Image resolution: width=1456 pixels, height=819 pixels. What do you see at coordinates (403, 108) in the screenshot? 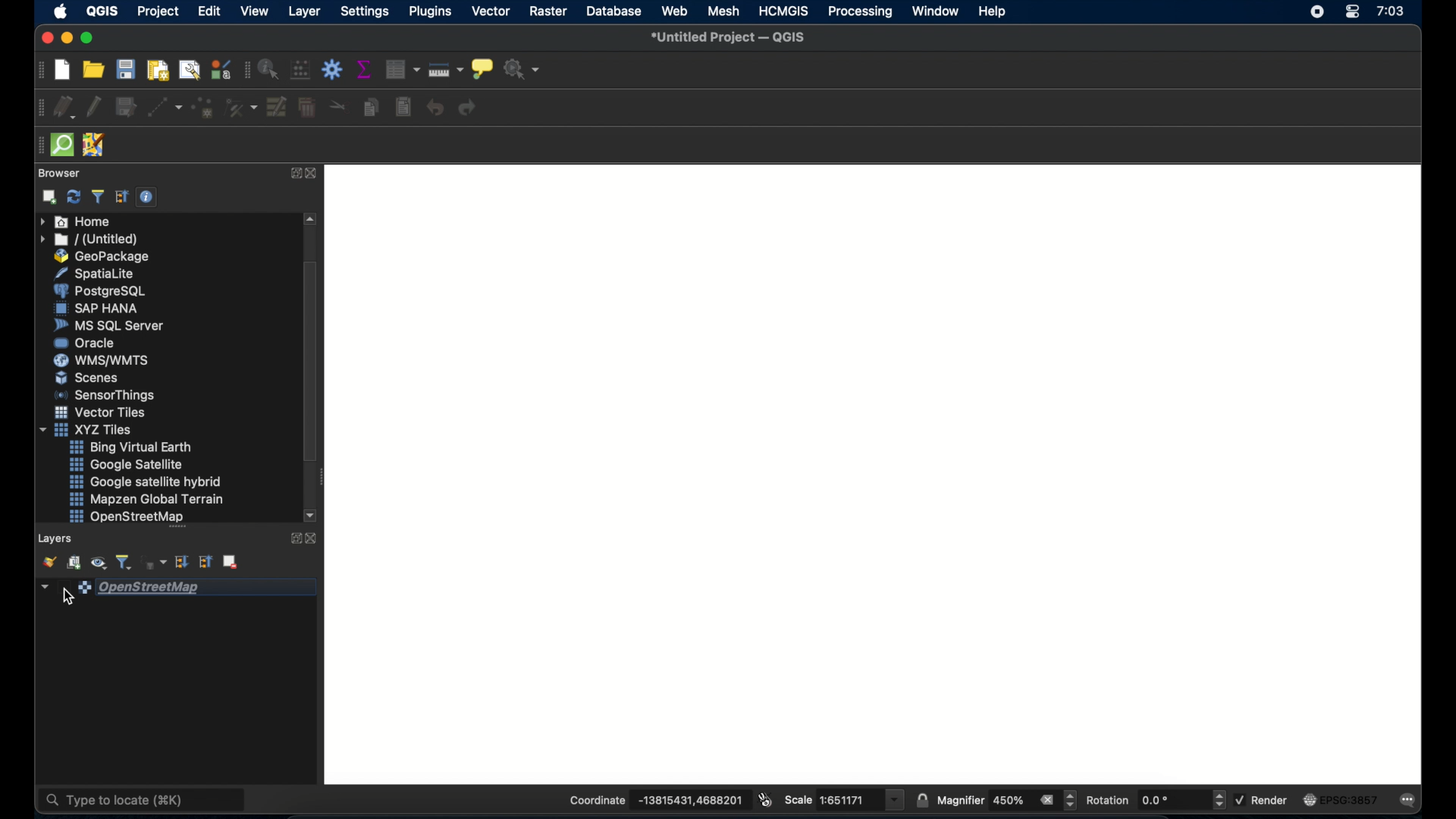
I see `paste features` at bounding box center [403, 108].